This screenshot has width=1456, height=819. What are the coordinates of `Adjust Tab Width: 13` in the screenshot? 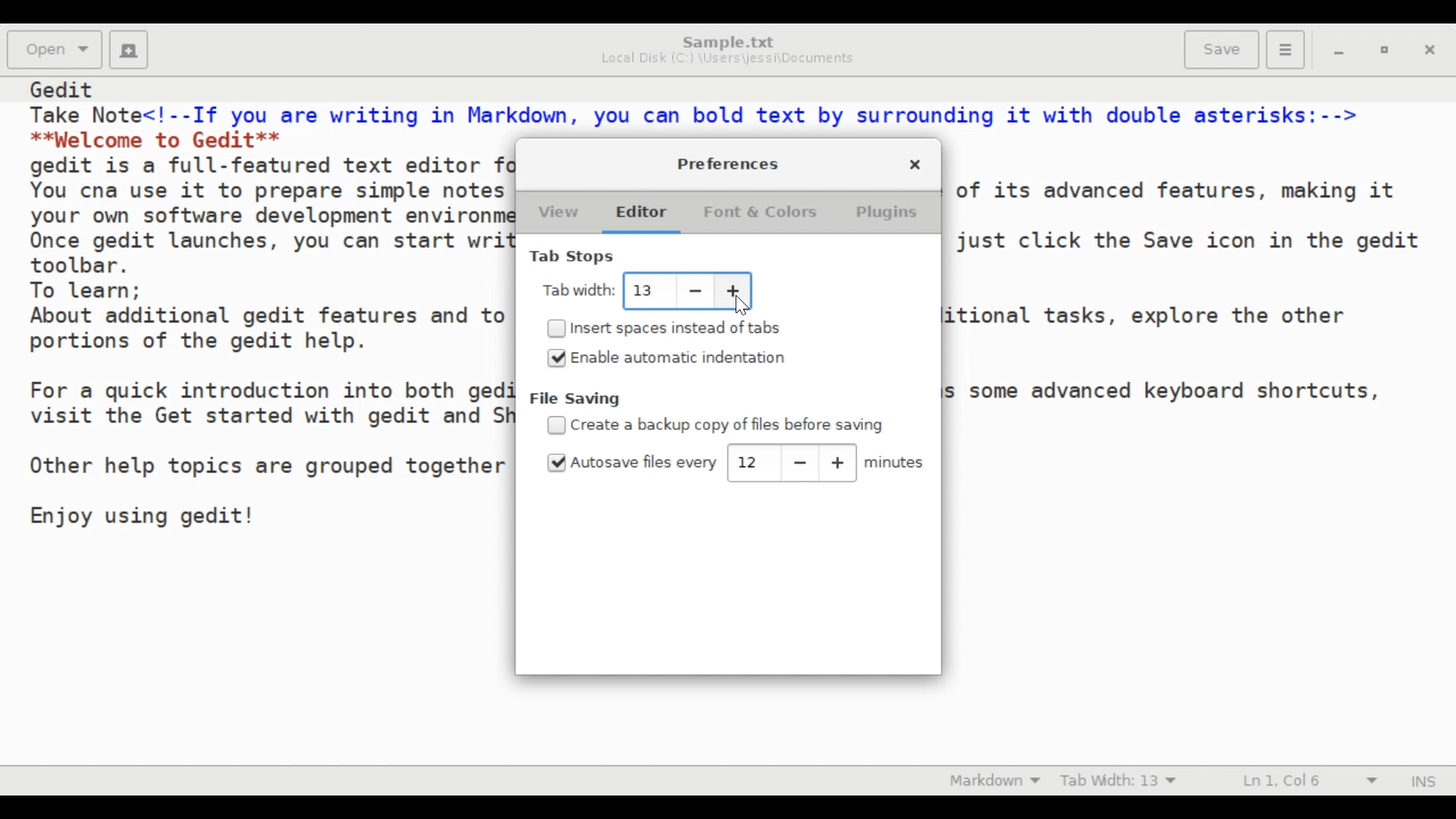 It's located at (645, 290).